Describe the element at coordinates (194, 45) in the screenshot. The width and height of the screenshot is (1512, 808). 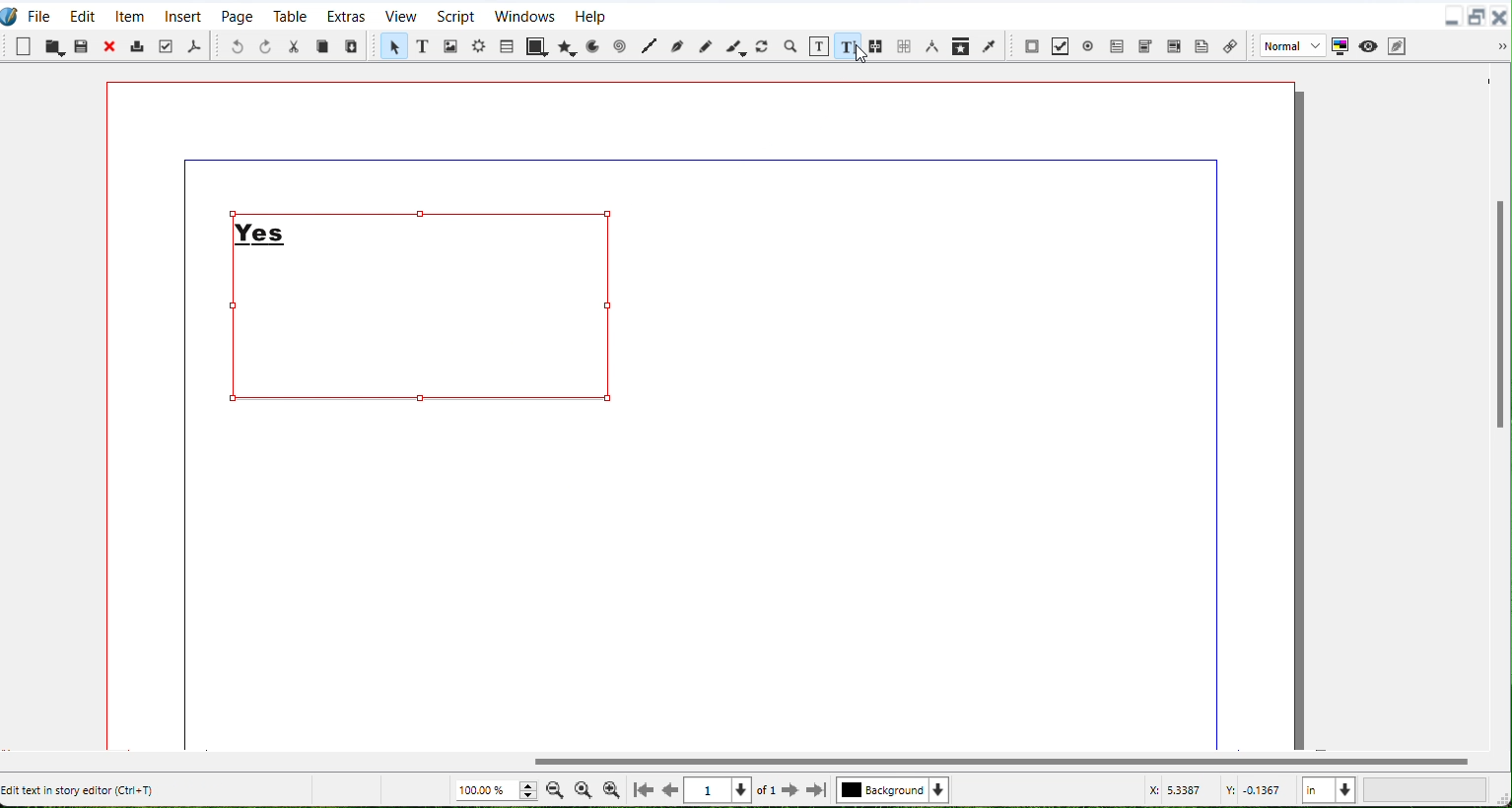
I see `Save as PDF` at that location.